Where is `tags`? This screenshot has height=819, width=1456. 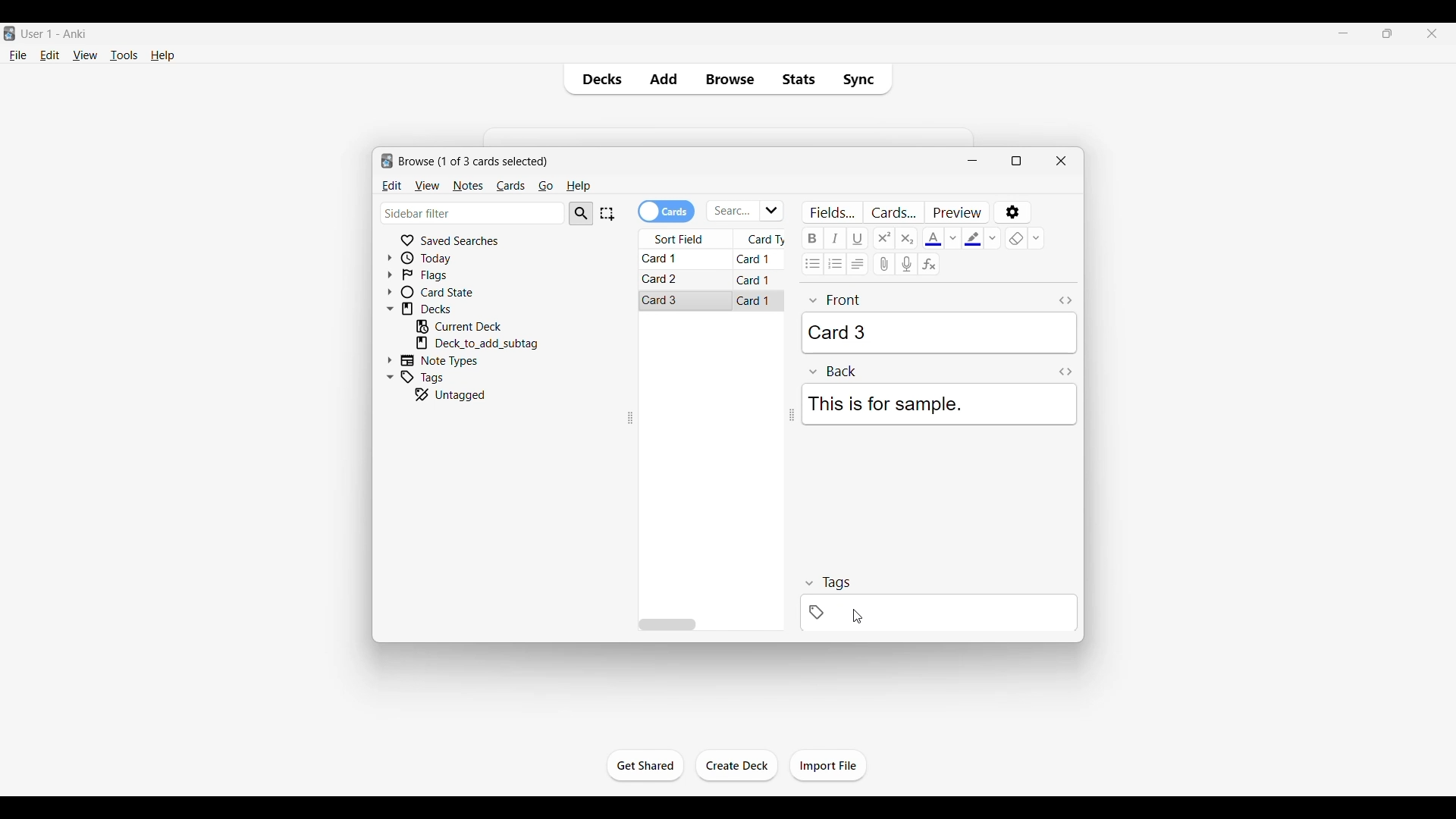 tags is located at coordinates (827, 582).